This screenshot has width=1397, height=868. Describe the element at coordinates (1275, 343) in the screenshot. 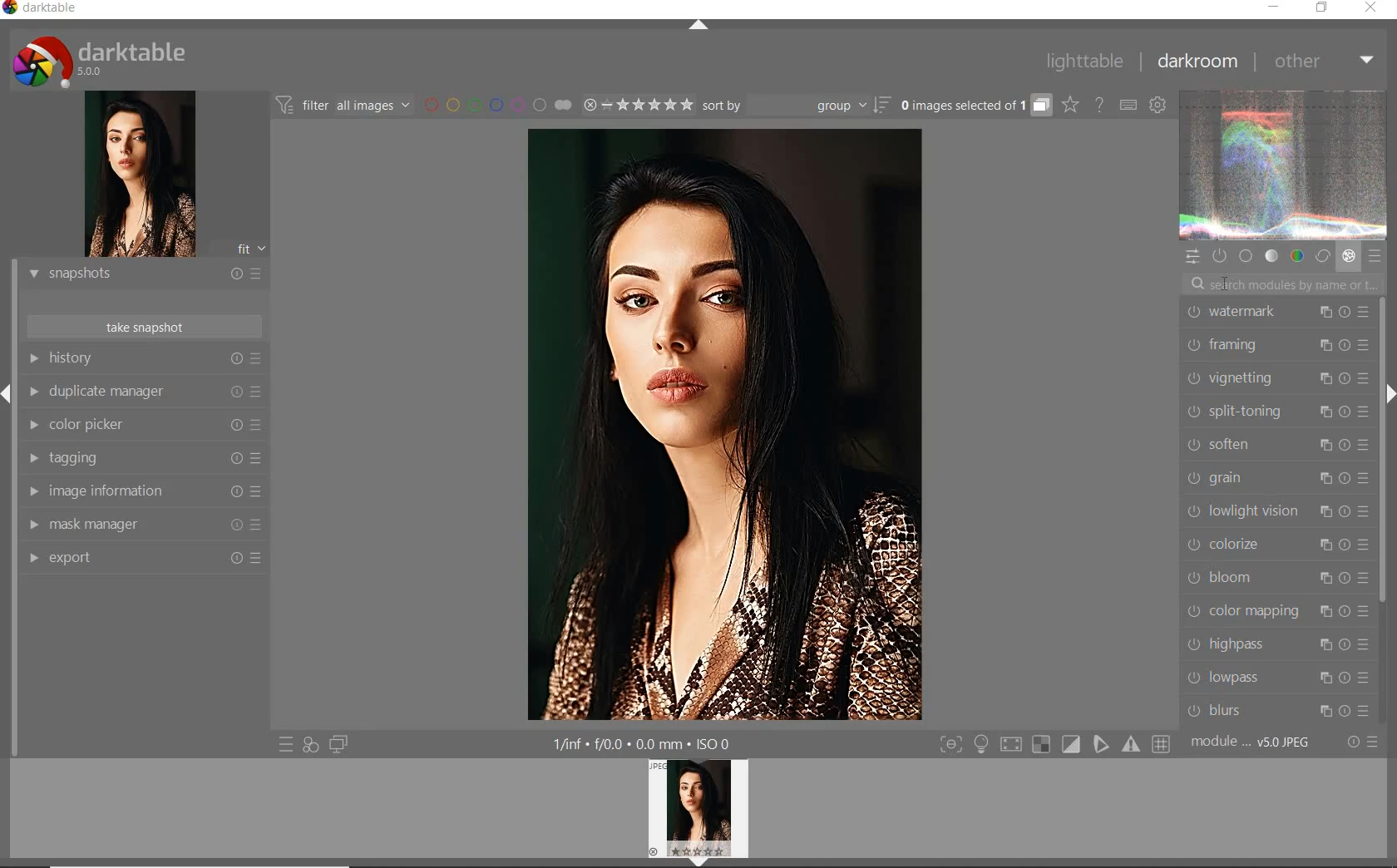

I see `FRAMING` at that location.